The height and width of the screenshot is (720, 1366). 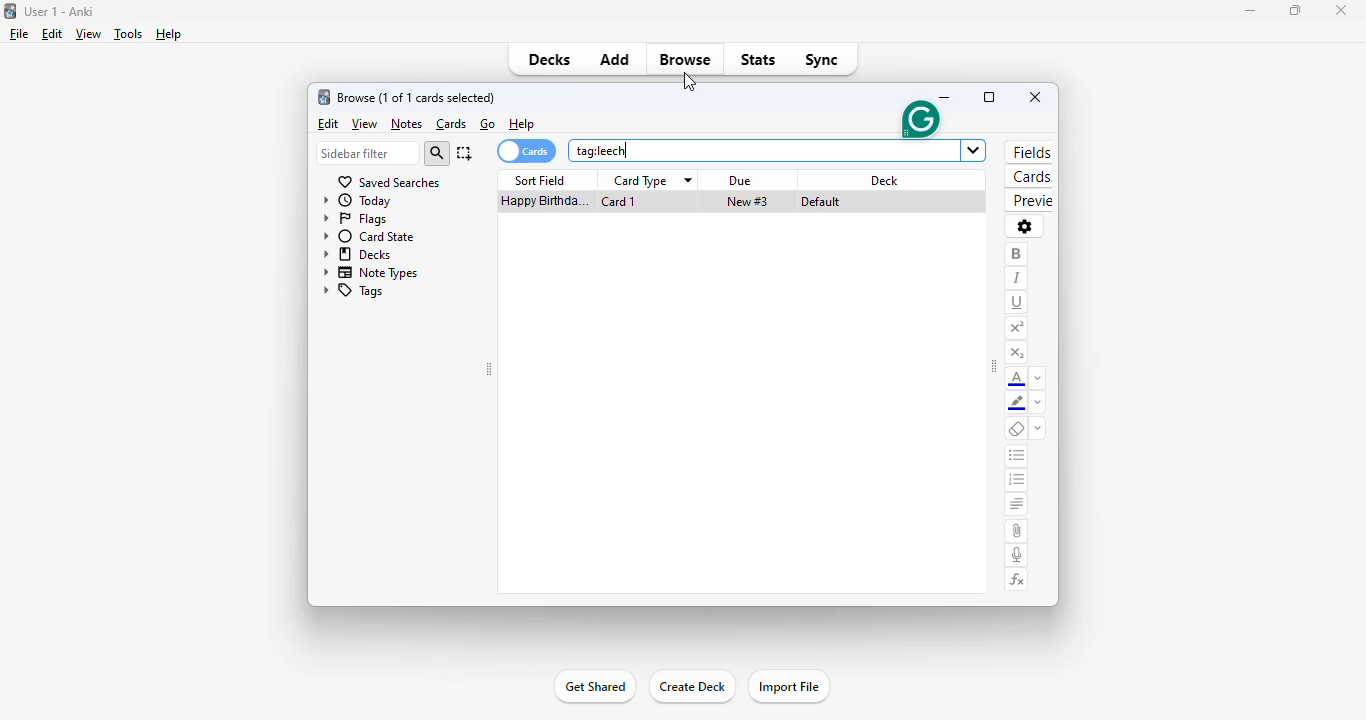 What do you see at coordinates (597, 687) in the screenshot?
I see `get shared` at bounding box center [597, 687].